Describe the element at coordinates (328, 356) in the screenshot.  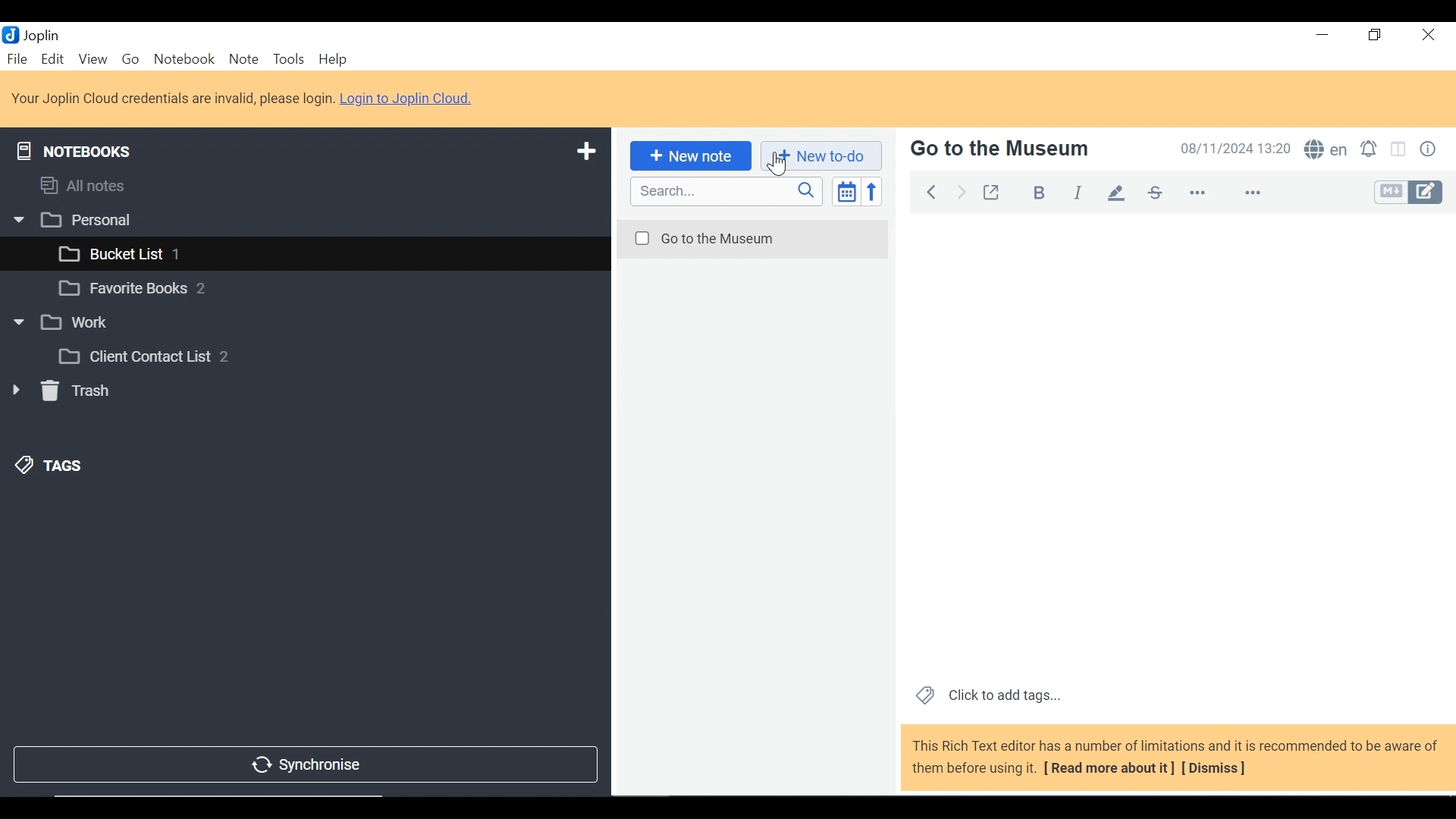
I see `Notebook` at that location.